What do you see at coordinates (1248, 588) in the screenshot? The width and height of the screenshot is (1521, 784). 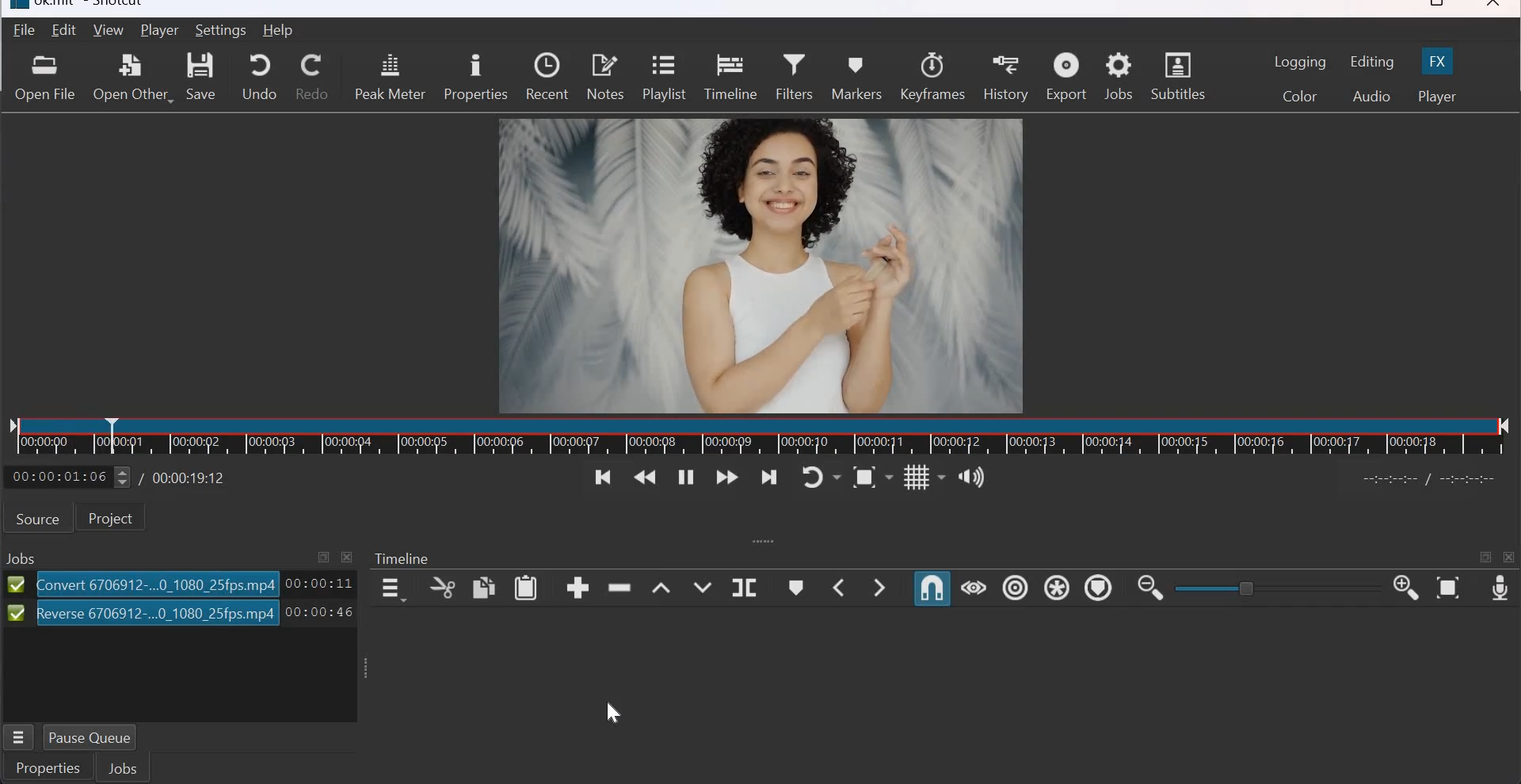 I see `toggle` at bounding box center [1248, 588].